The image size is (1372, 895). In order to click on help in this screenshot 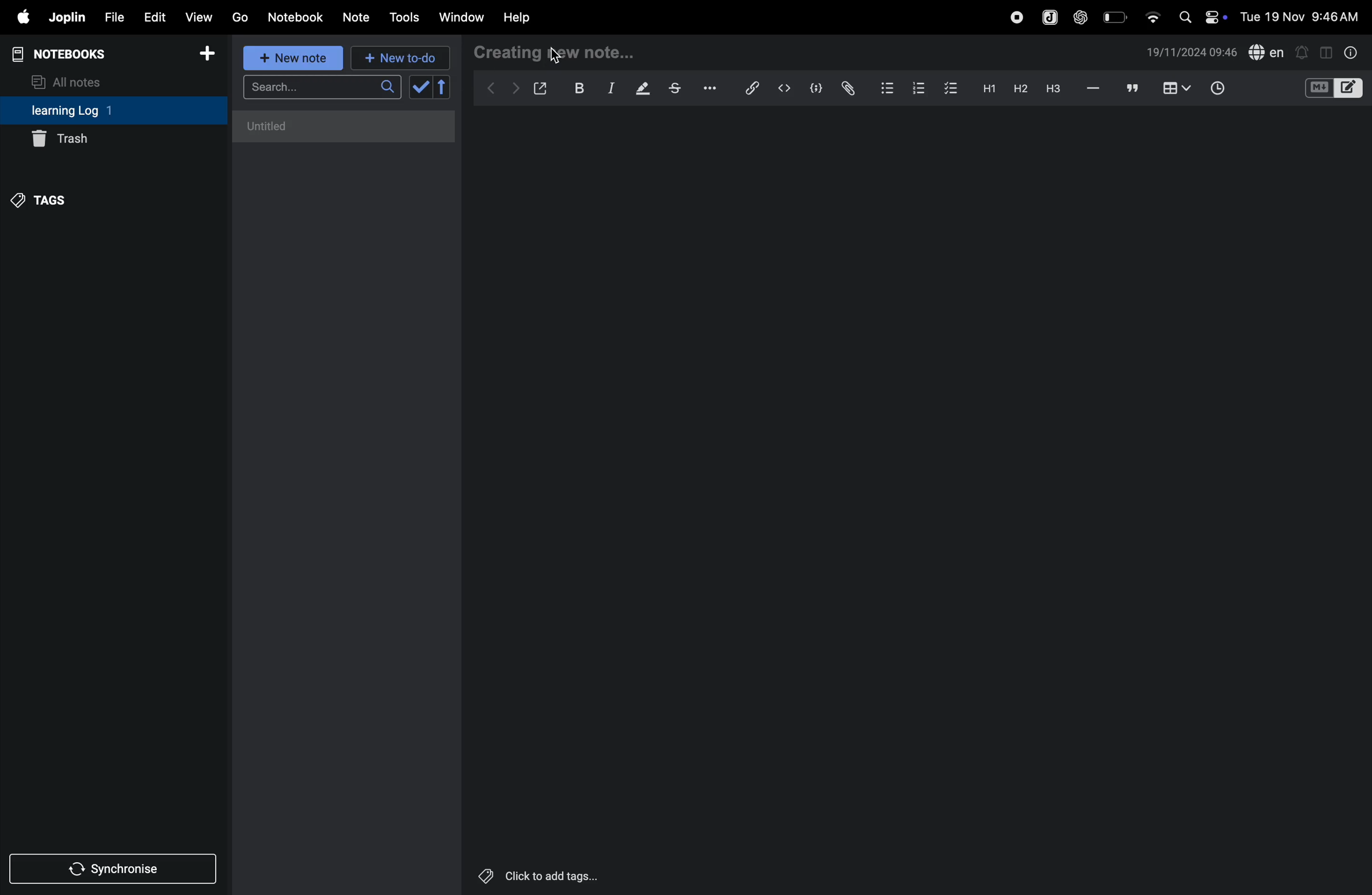, I will do `click(517, 17)`.